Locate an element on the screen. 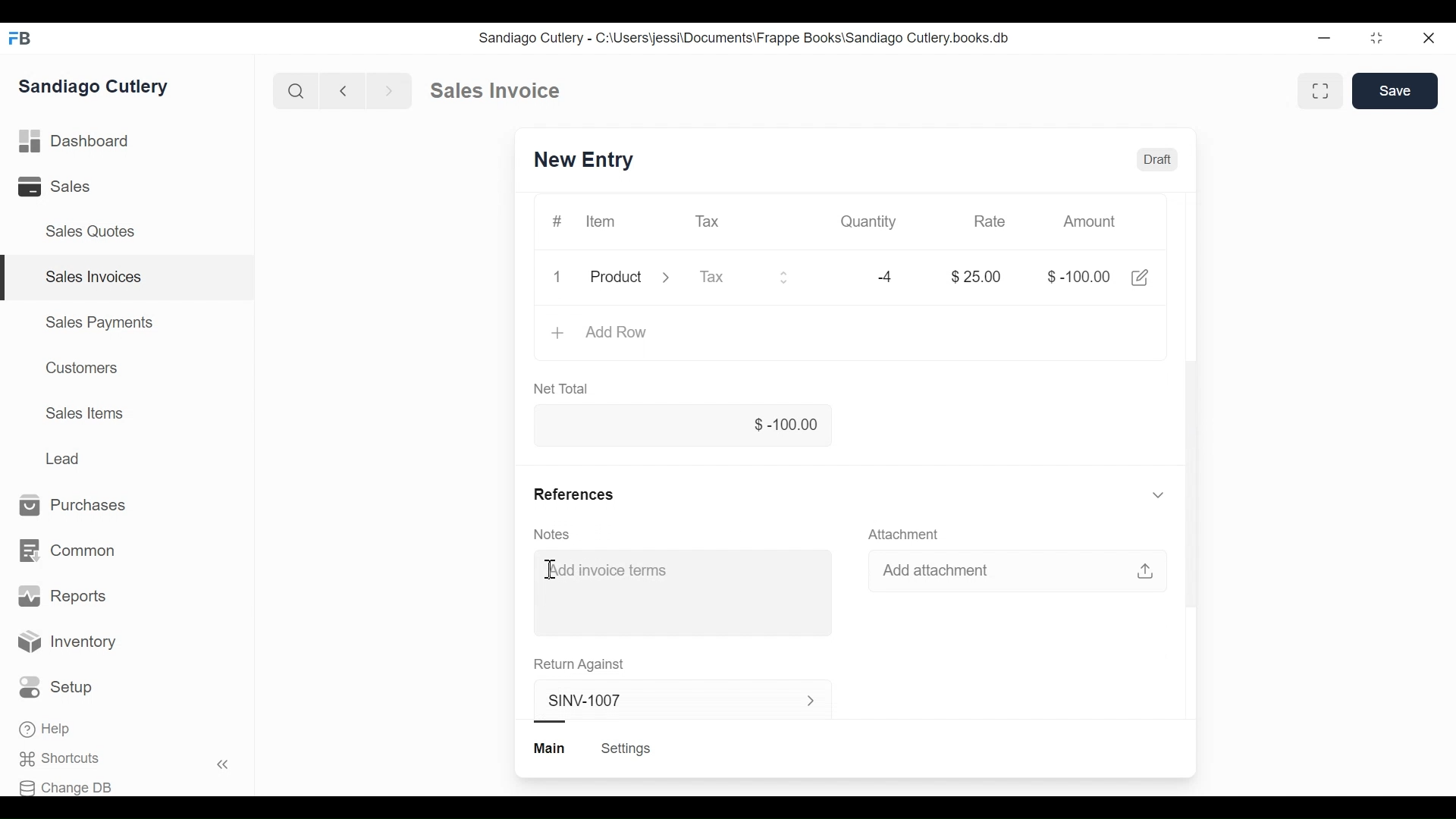 The image size is (1456, 819). Close is located at coordinates (1432, 39).